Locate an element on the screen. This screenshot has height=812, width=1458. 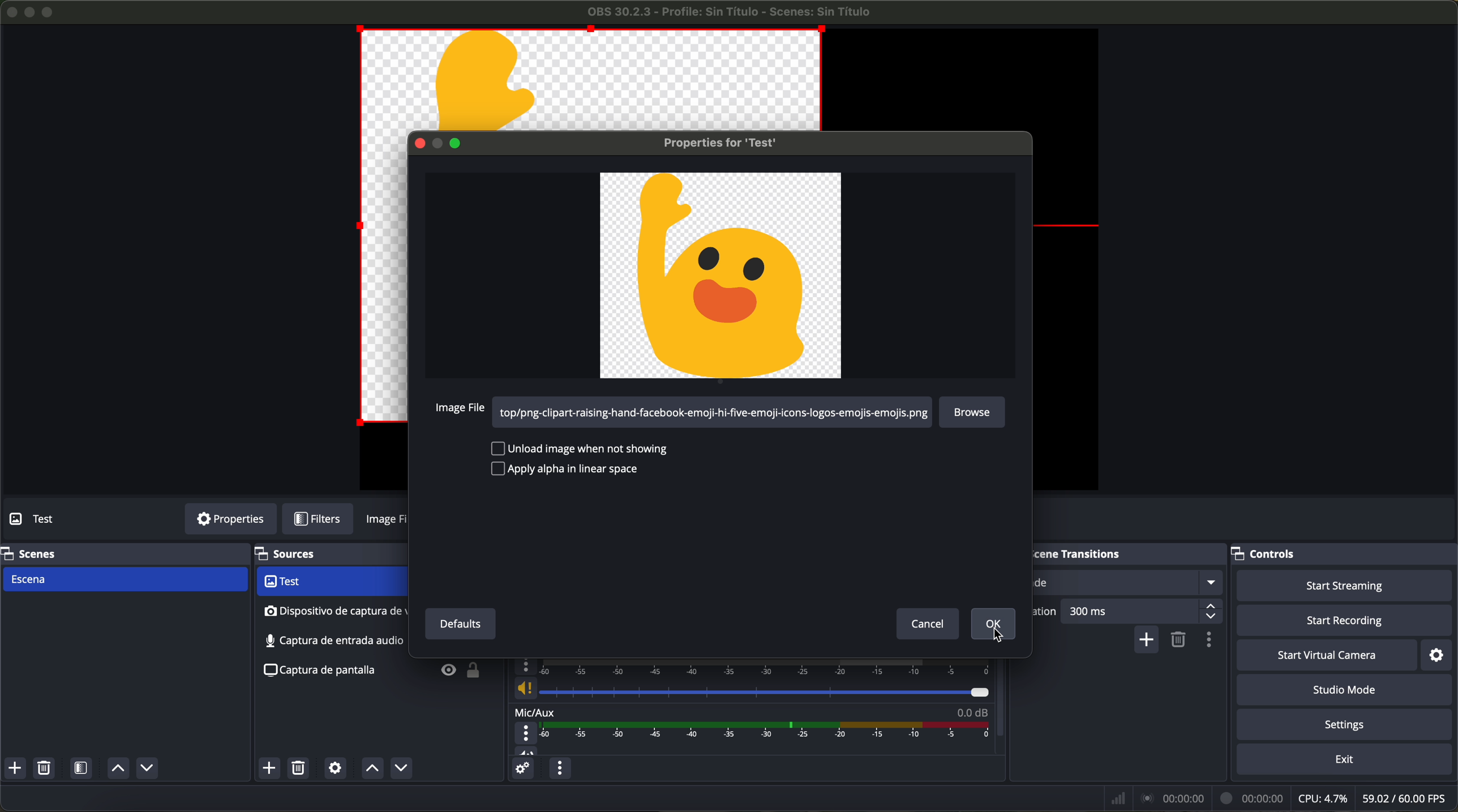
scene is located at coordinates (124, 580).